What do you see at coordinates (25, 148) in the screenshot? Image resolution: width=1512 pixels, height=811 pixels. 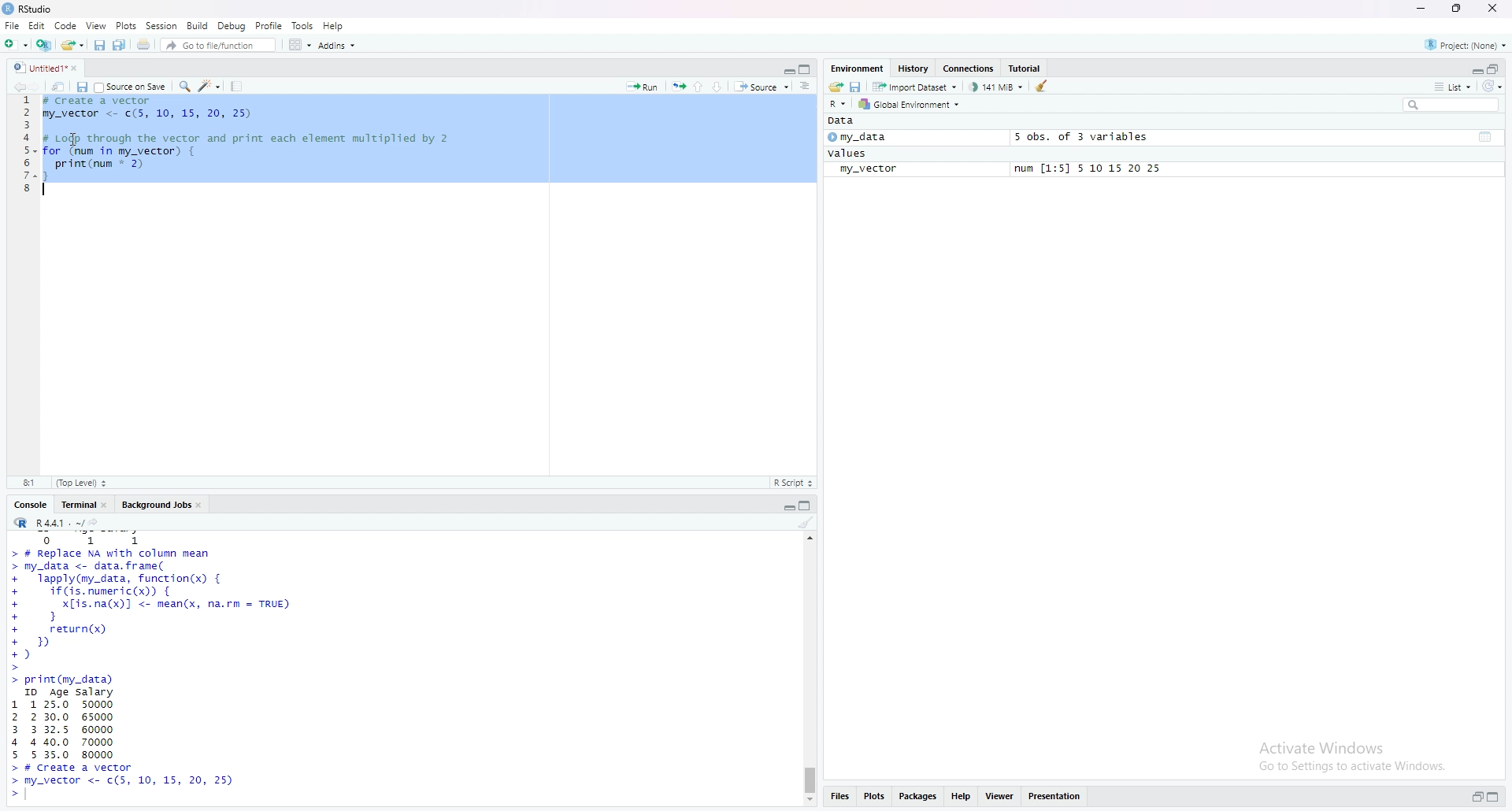 I see `line numbers` at bounding box center [25, 148].